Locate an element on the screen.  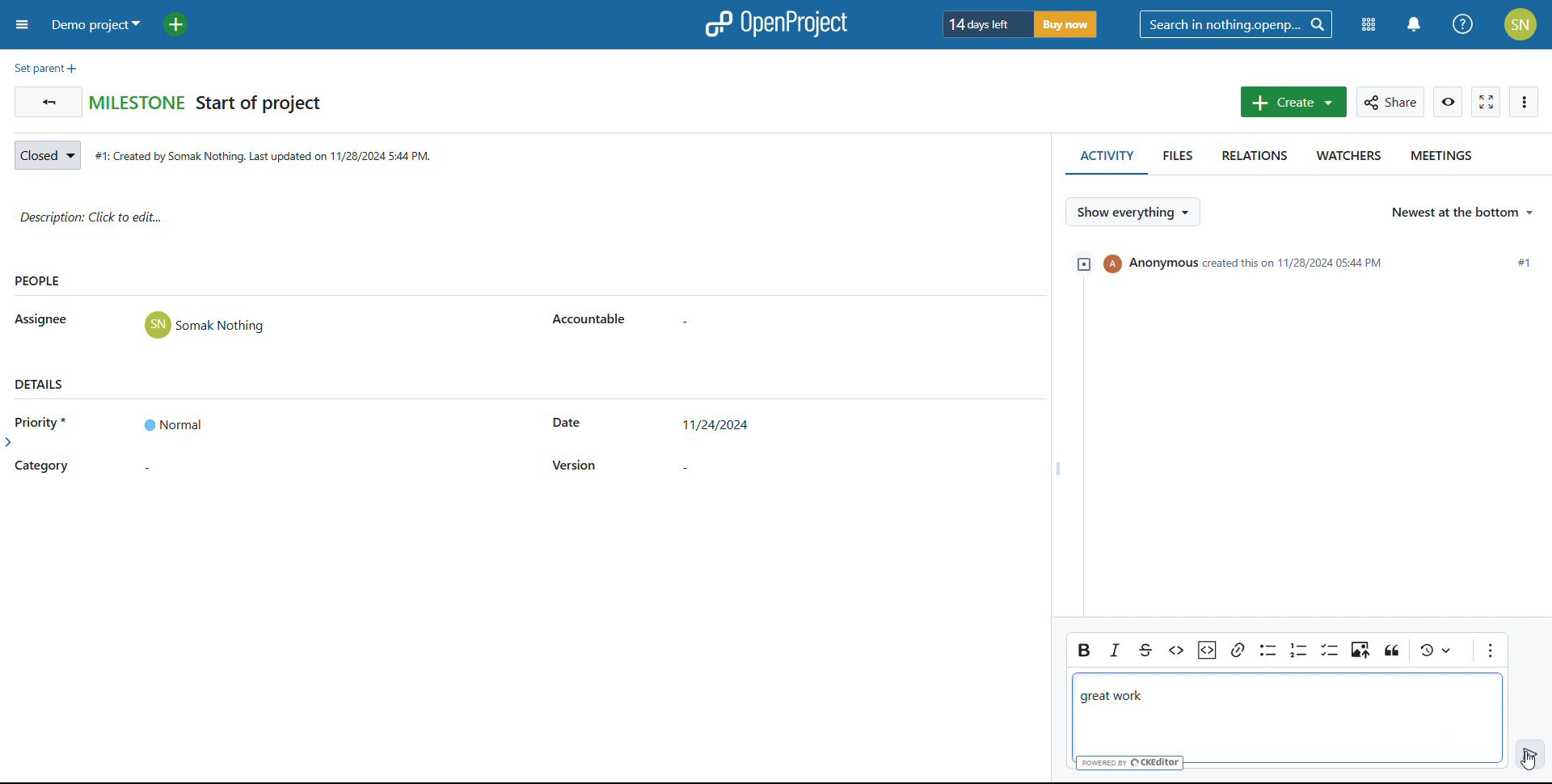
search is located at coordinates (1236, 24).